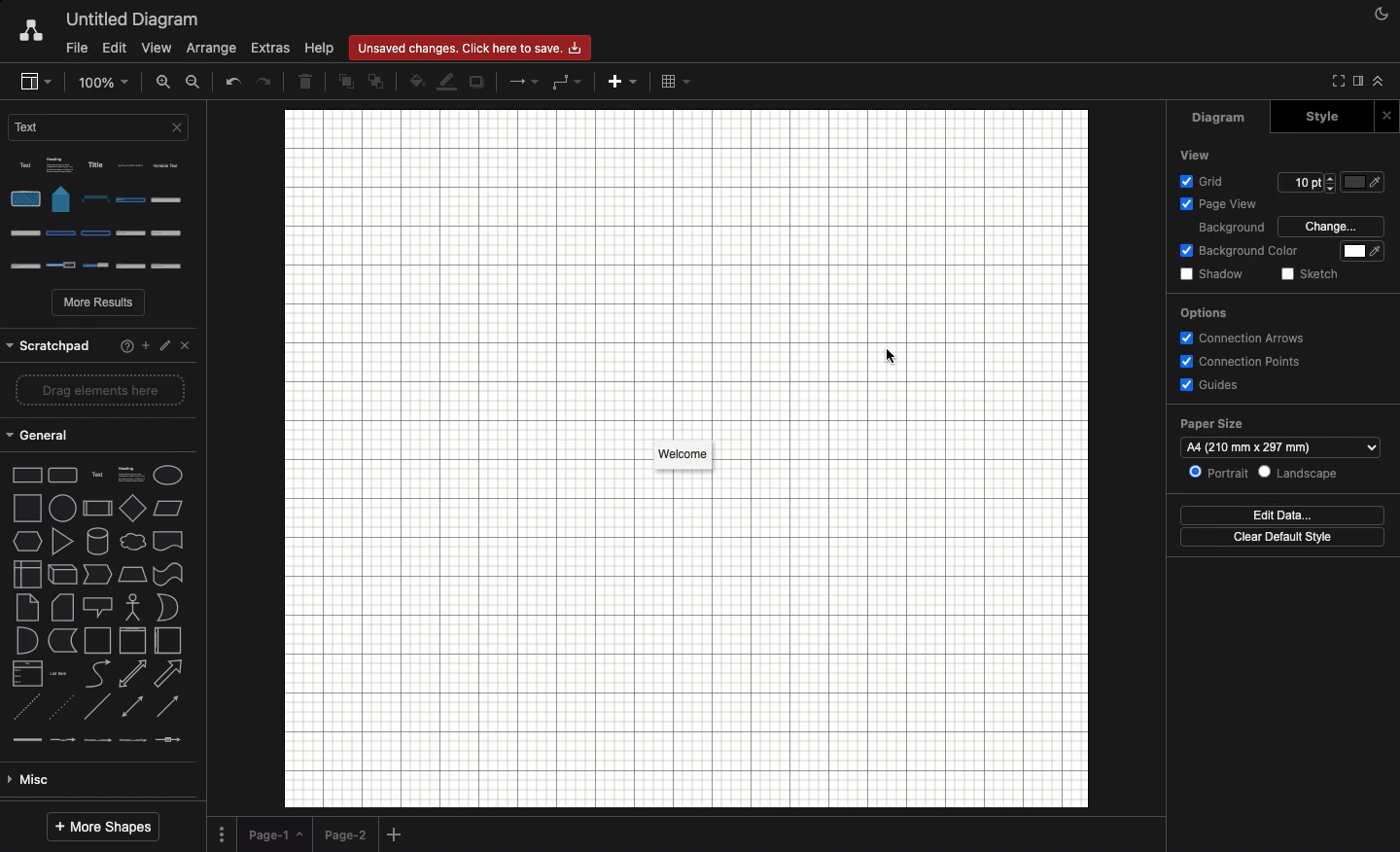 The width and height of the screenshot is (1400, 852). I want to click on paper size, so click(1217, 423).